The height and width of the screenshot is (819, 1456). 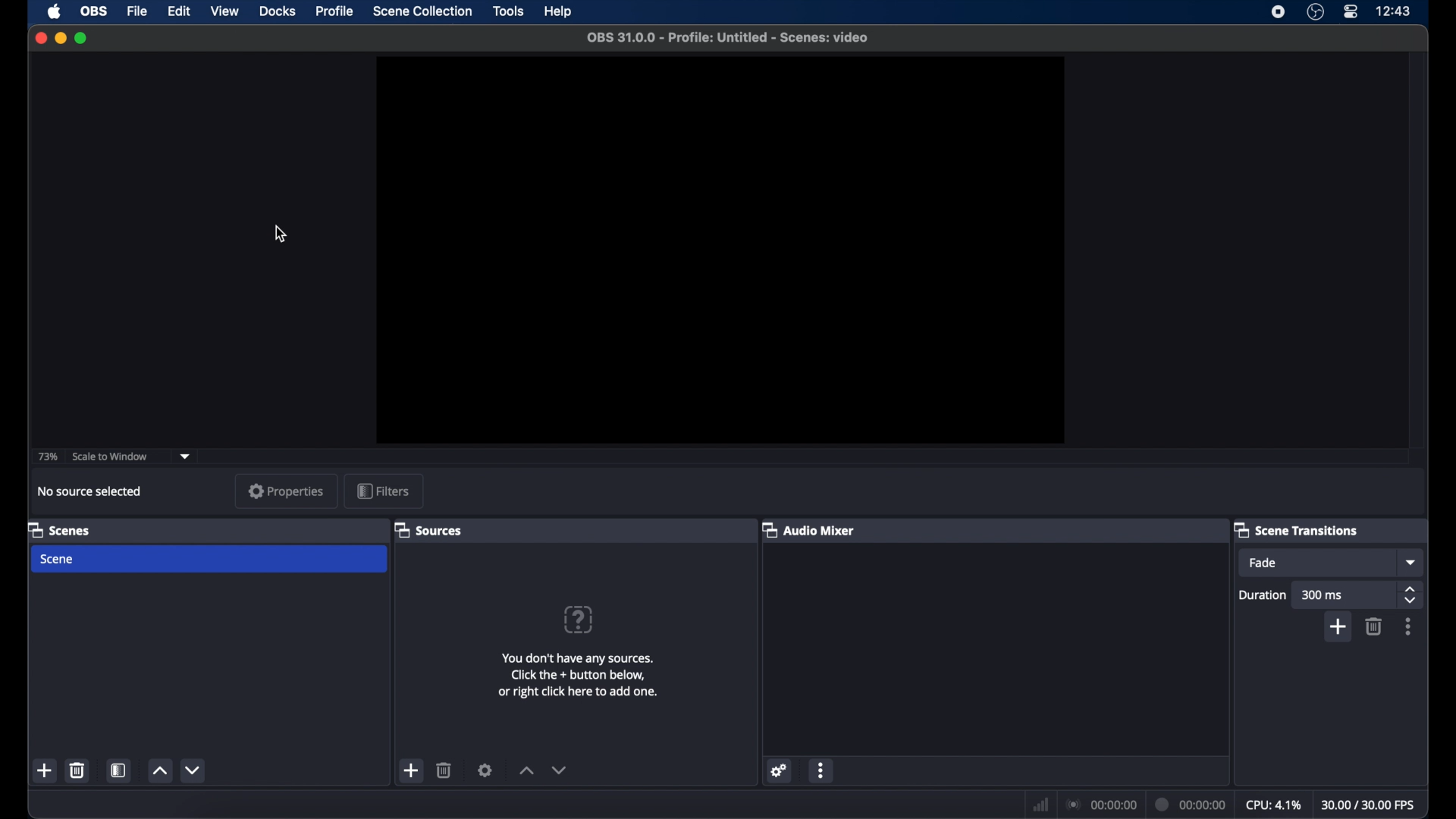 What do you see at coordinates (78, 770) in the screenshot?
I see `delete` at bounding box center [78, 770].